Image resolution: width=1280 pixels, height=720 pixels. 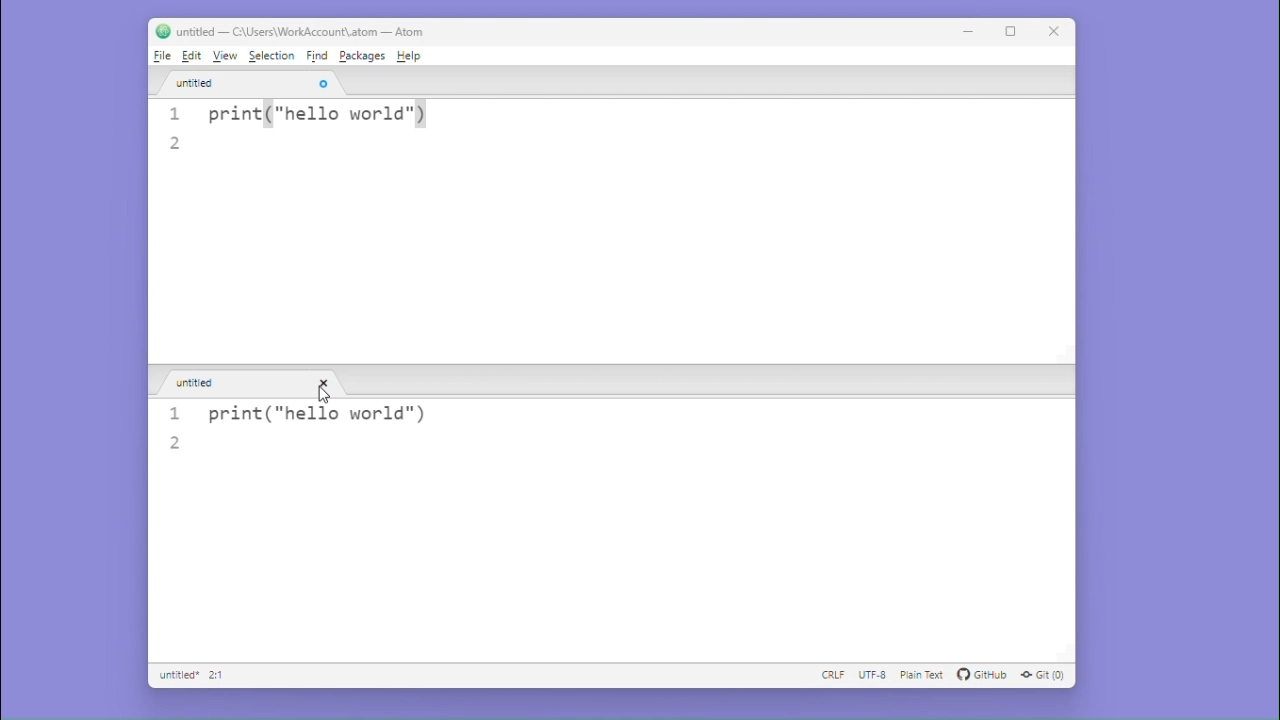 I want to click on Editor pane 1, so click(x=612, y=261).